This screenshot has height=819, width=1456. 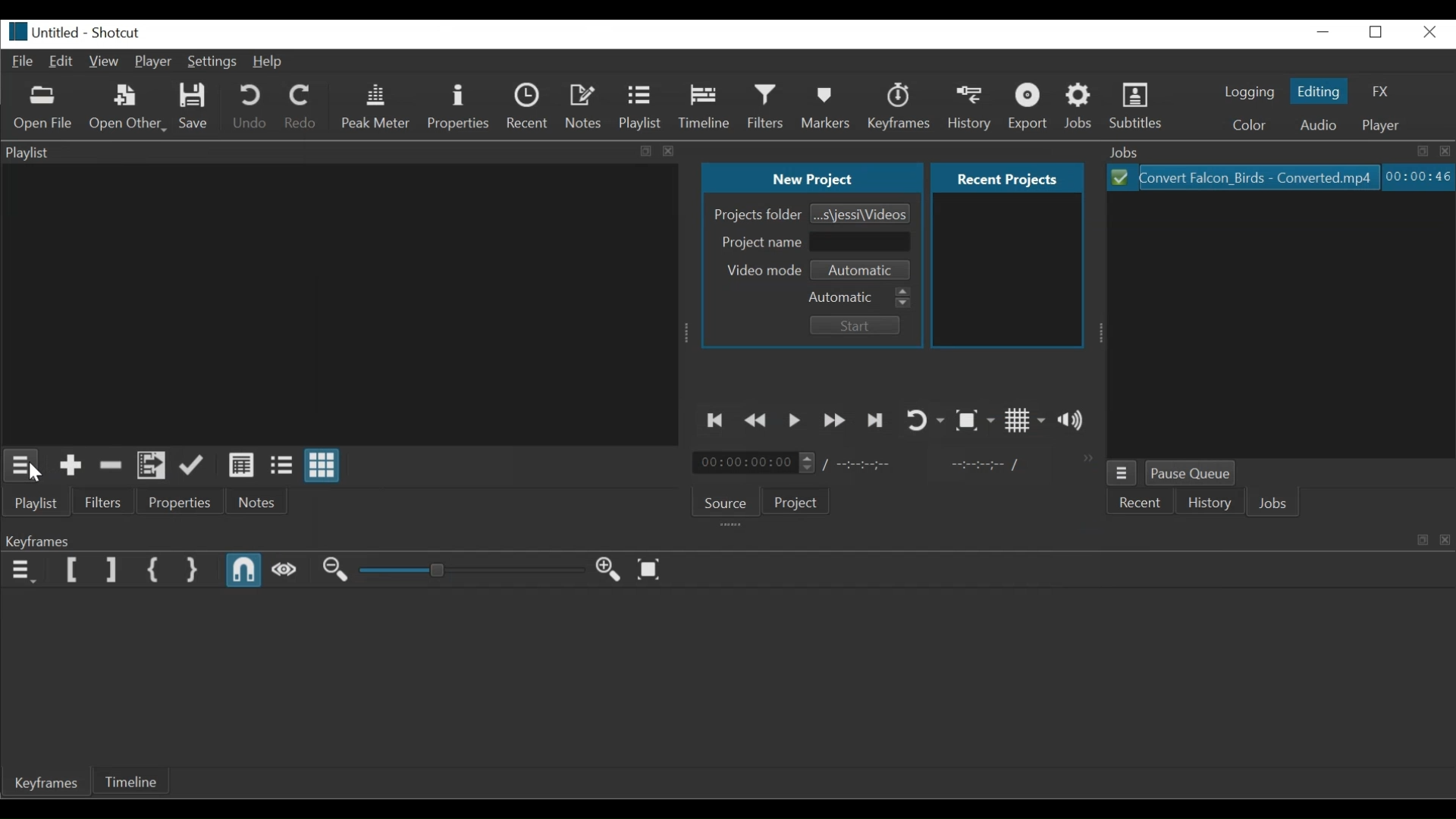 What do you see at coordinates (529, 106) in the screenshot?
I see `Recent` at bounding box center [529, 106].